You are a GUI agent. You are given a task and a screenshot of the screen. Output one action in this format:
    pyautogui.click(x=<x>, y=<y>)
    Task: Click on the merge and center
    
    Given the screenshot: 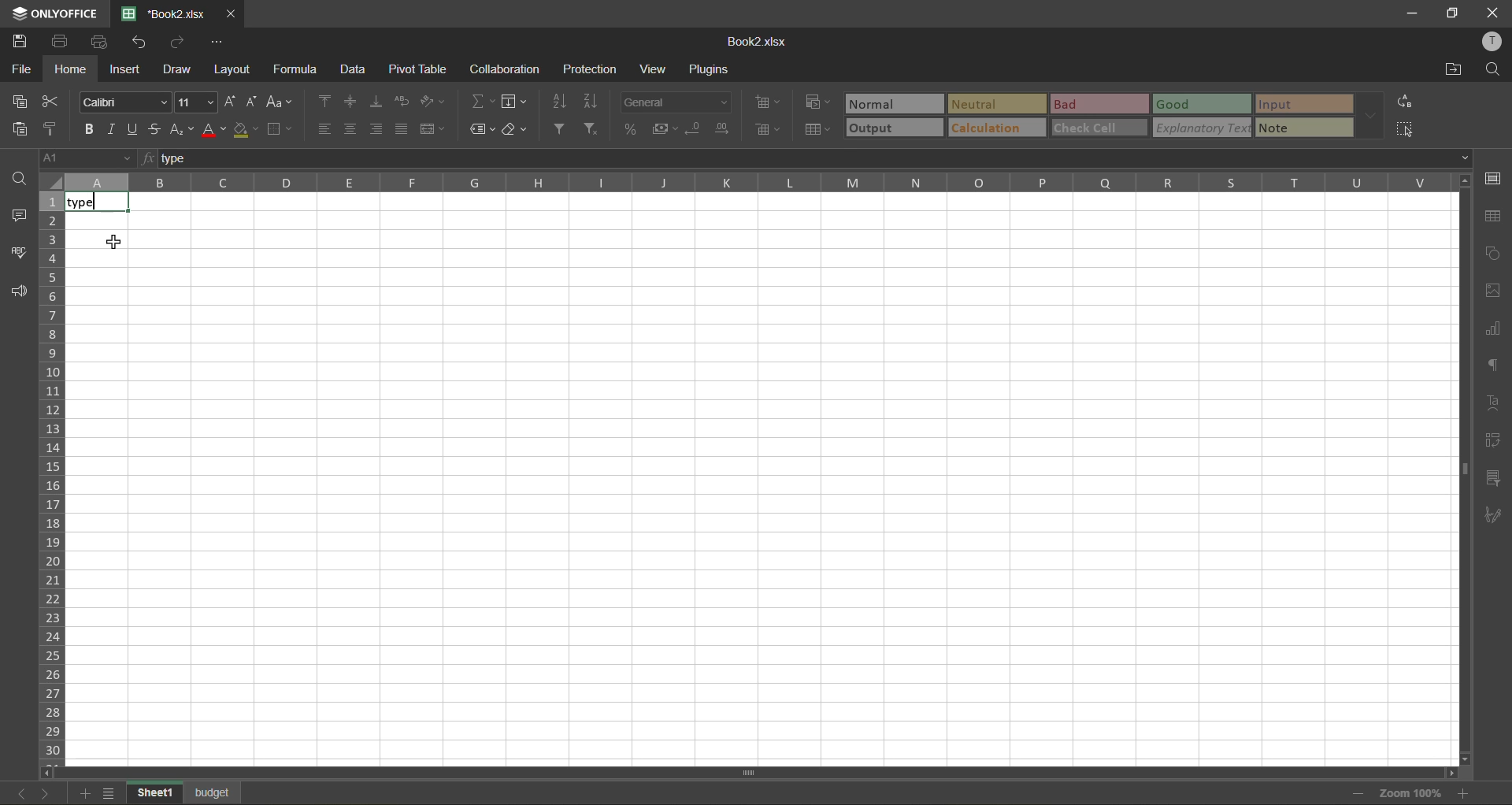 What is the action you would take?
    pyautogui.click(x=433, y=129)
    